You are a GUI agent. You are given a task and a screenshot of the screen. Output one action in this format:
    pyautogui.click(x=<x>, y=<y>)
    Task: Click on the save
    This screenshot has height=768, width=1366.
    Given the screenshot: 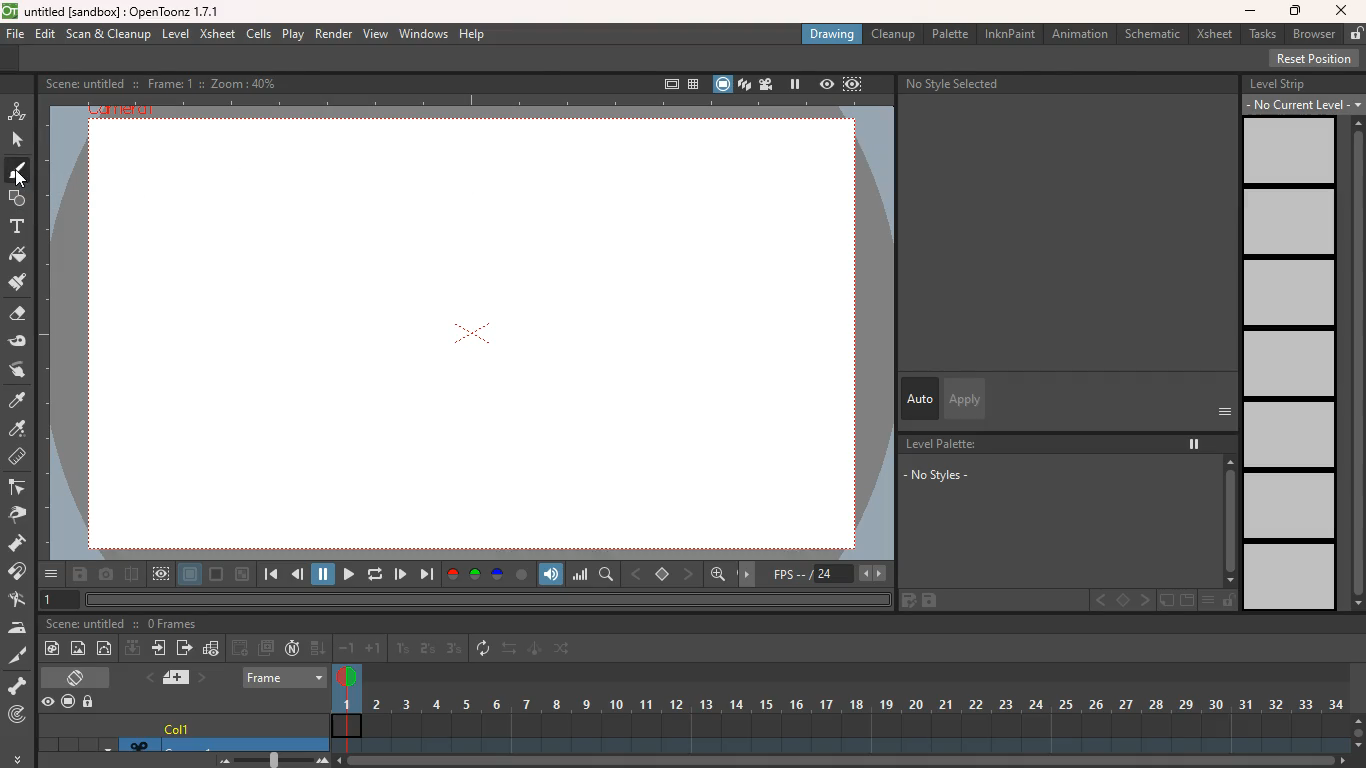 What is the action you would take?
    pyautogui.click(x=79, y=576)
    